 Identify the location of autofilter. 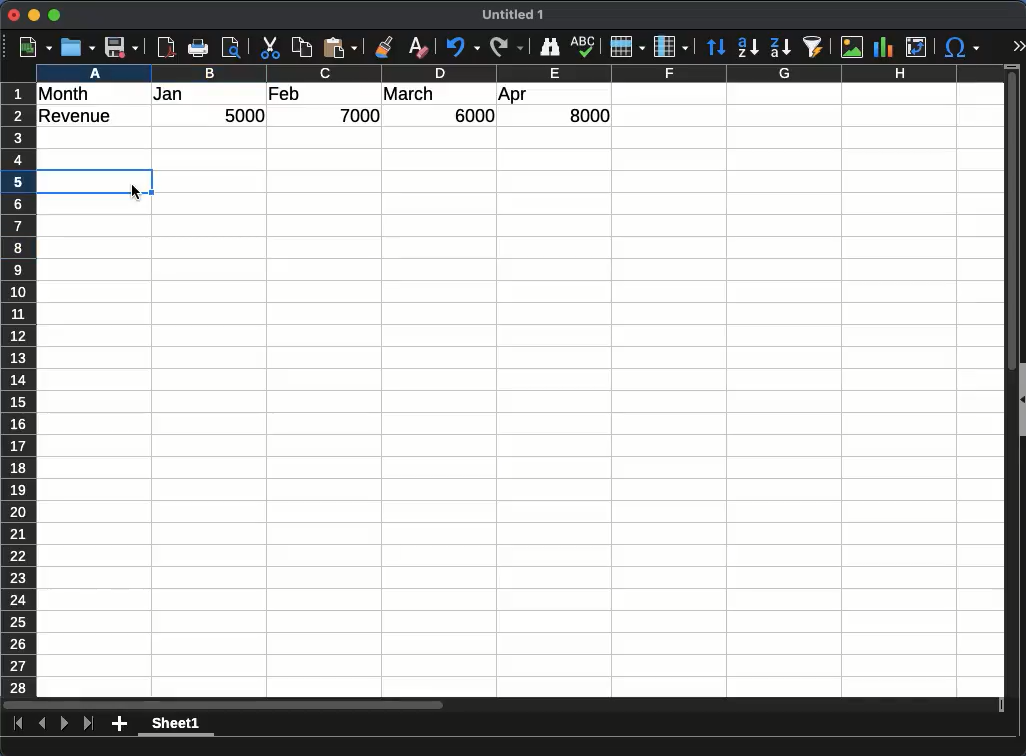
(814, 47).